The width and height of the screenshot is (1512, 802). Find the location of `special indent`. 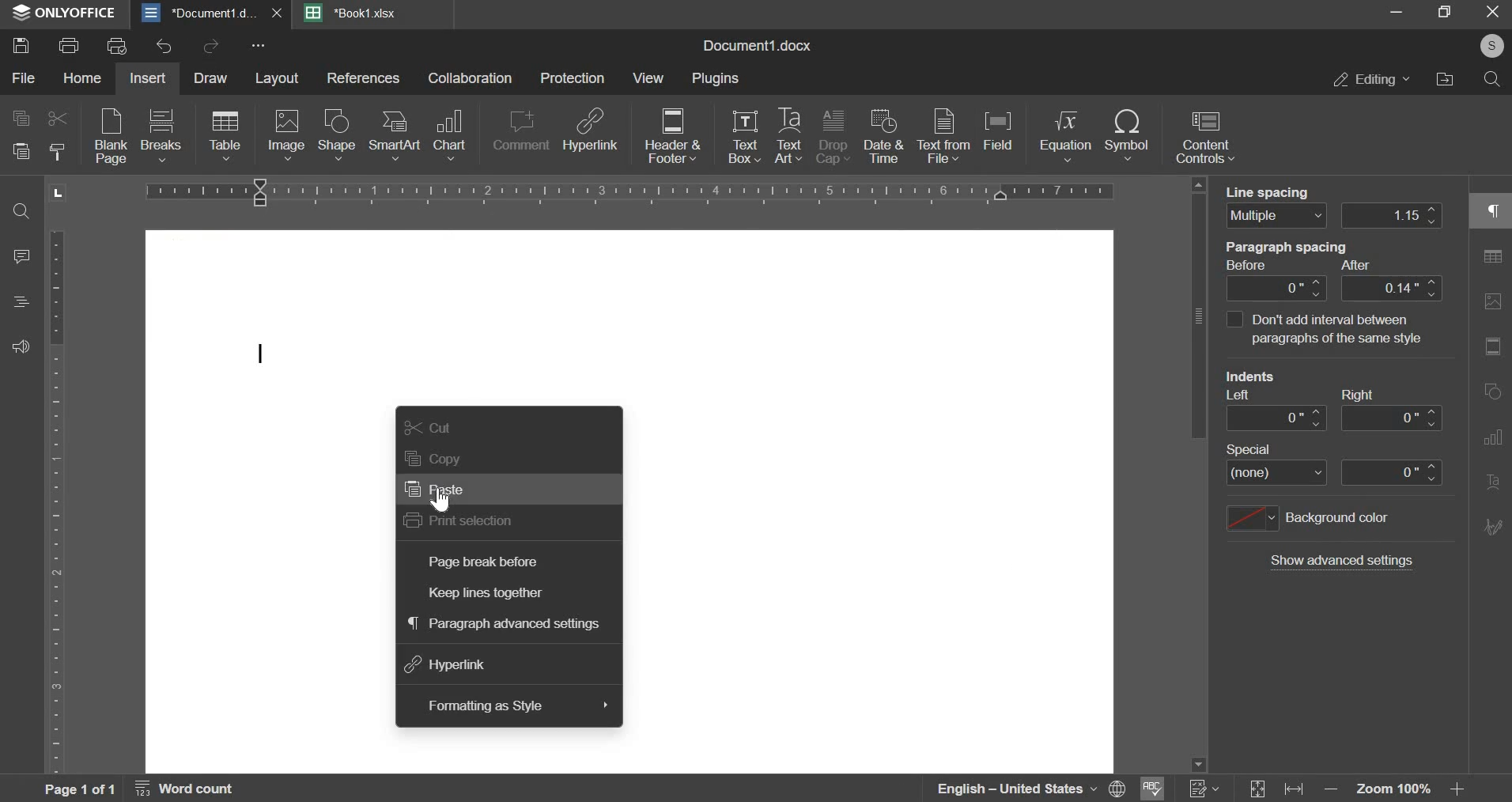

special indent is located at coordinates (1276, 474).